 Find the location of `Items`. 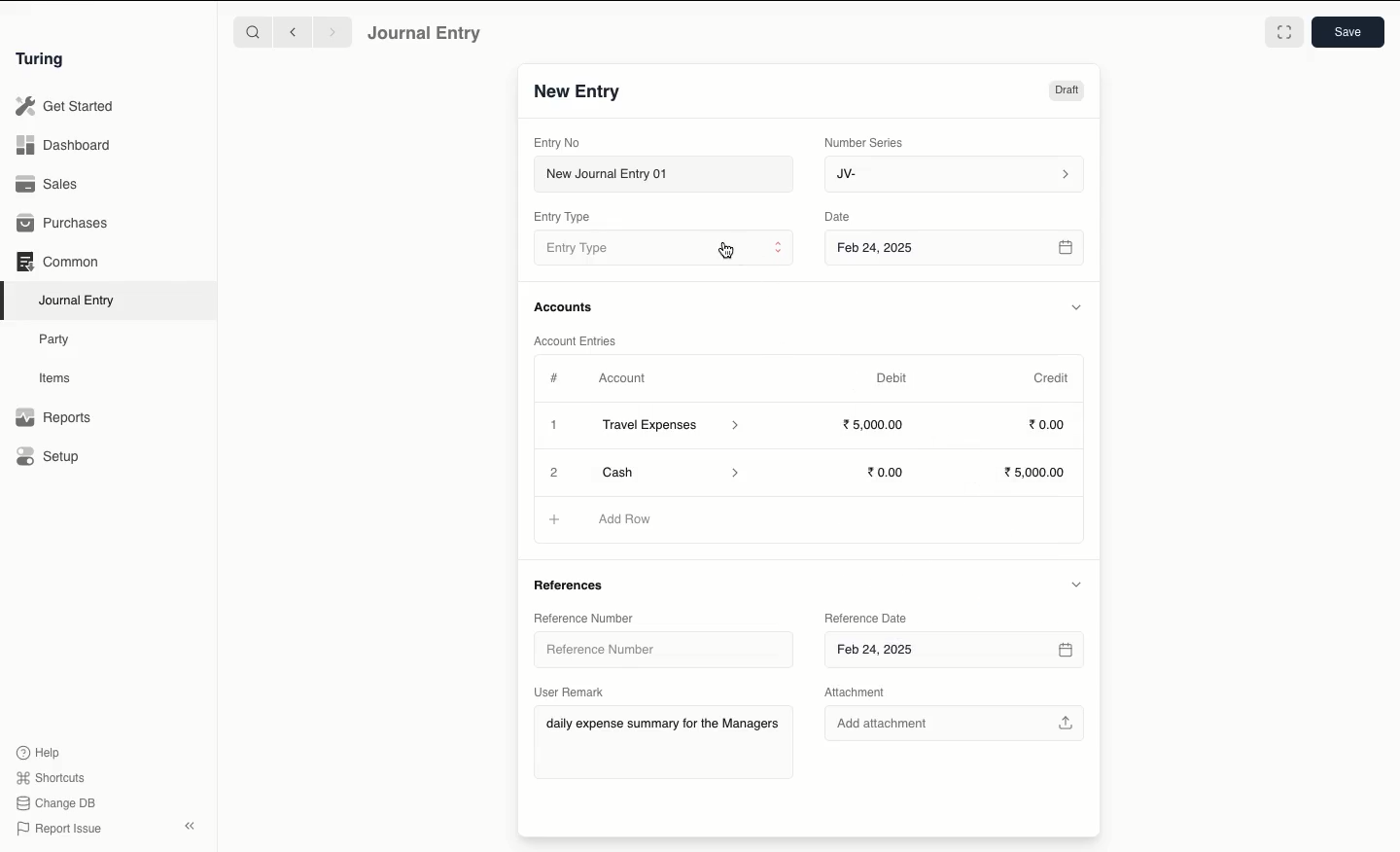

Items is located at coordinates (55, 377).